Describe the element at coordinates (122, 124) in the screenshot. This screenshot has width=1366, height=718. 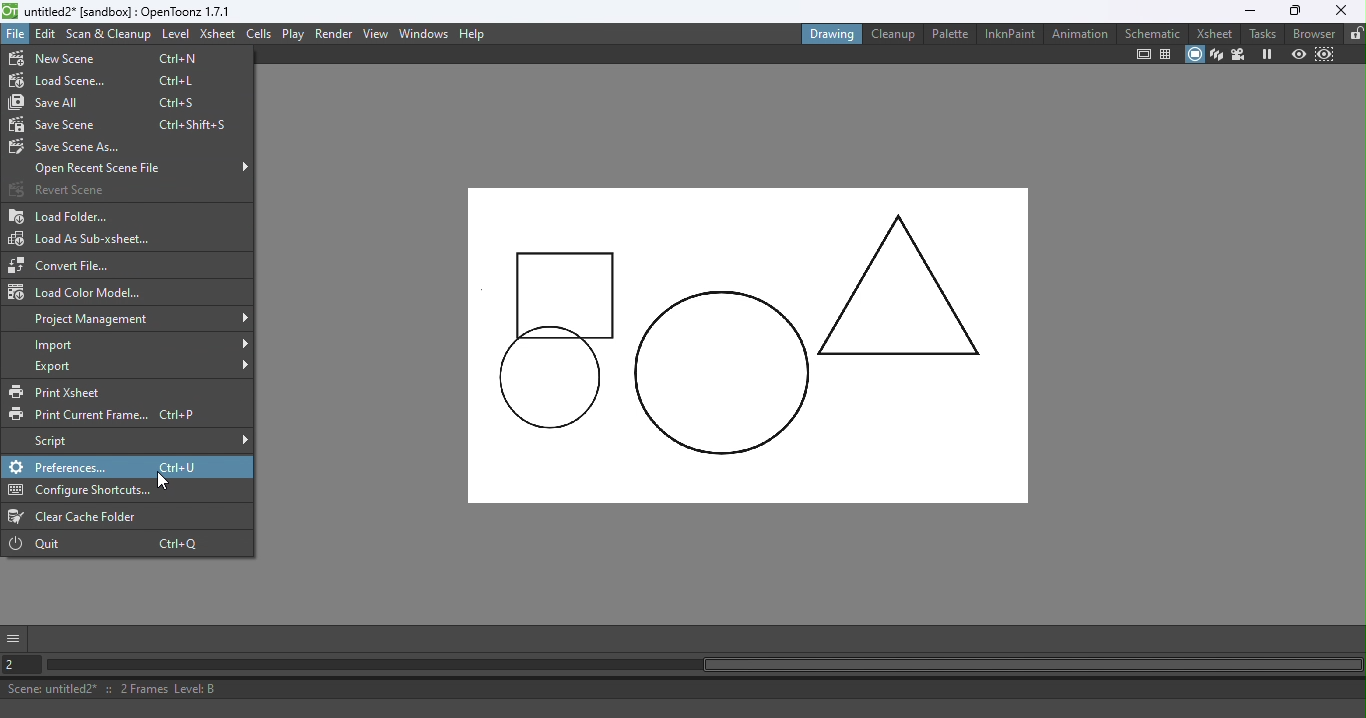
I see `Save scene` at that location.